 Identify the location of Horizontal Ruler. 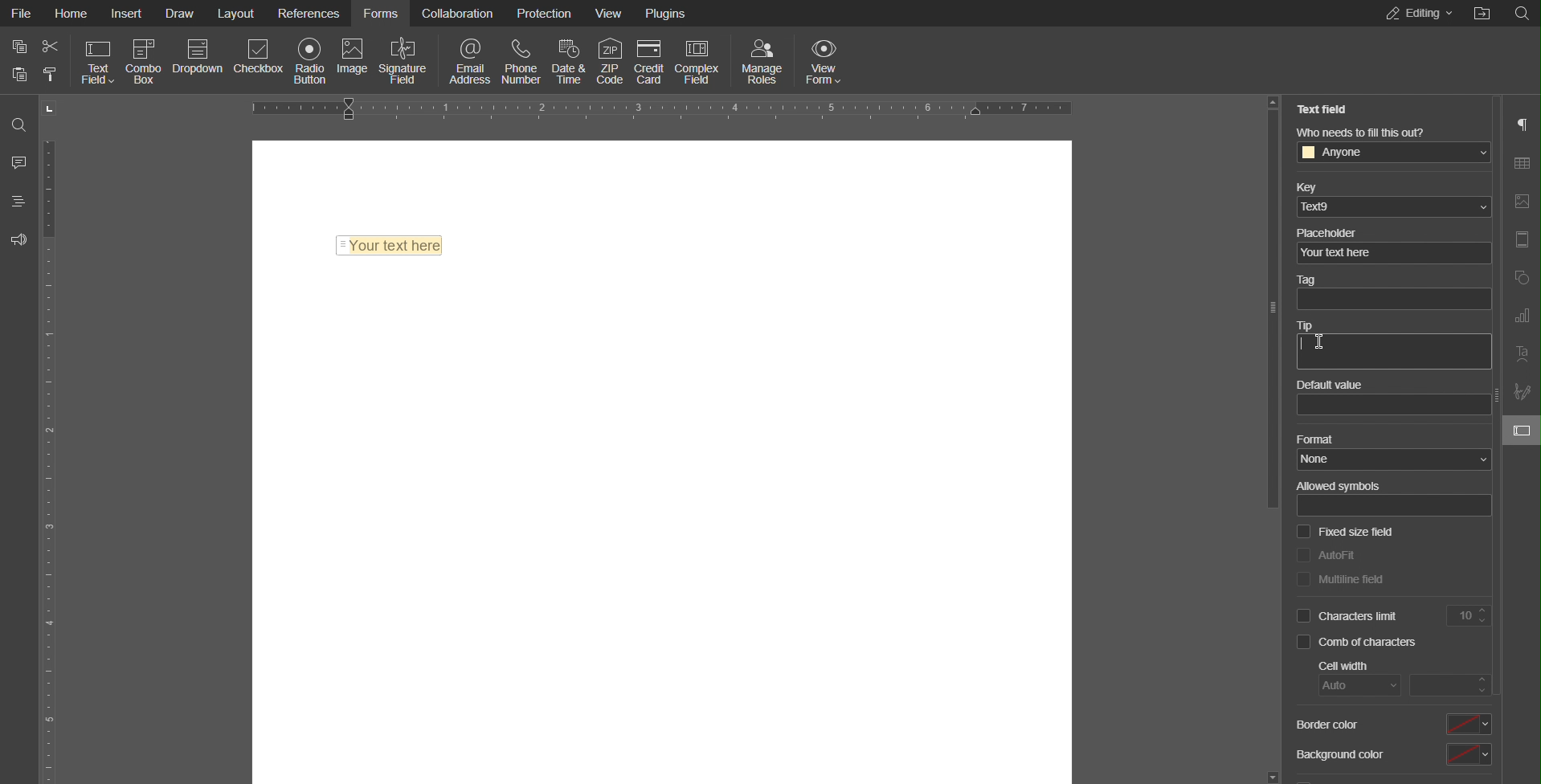
(663, 109).